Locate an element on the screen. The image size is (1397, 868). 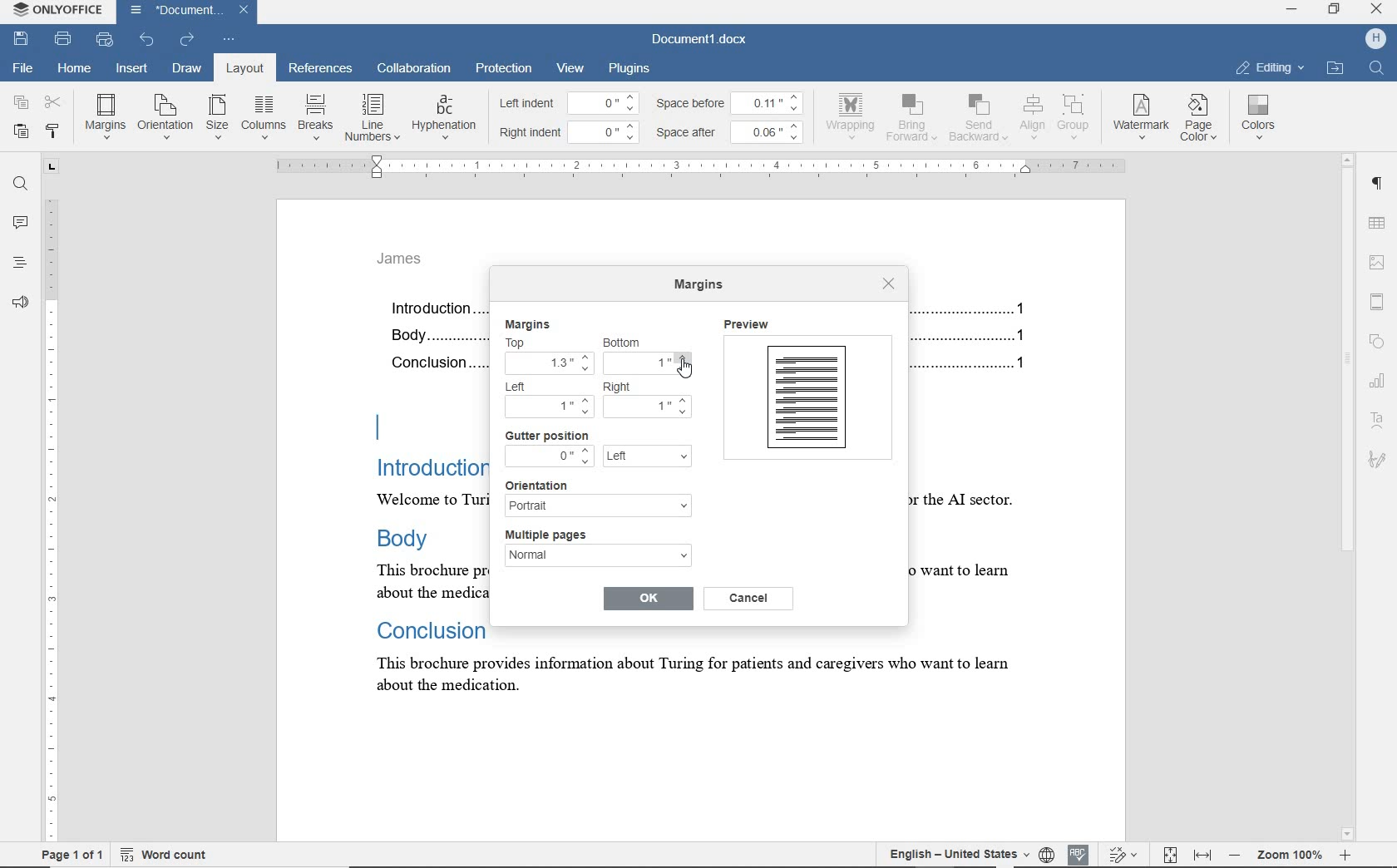
line numbers is located at coordinates (371, 117).